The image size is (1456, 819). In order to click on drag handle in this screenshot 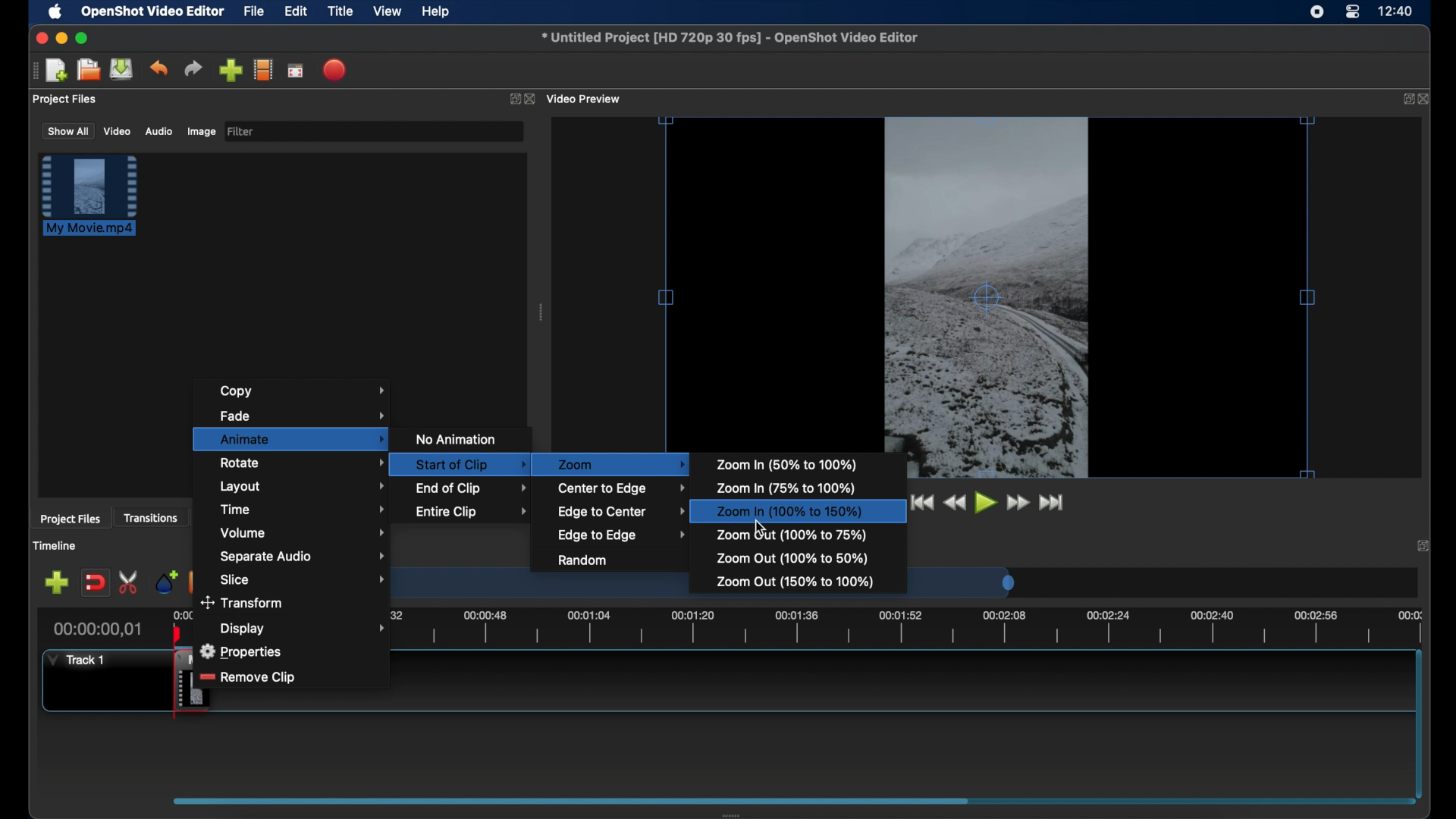, I will do `click(541, 314)`.